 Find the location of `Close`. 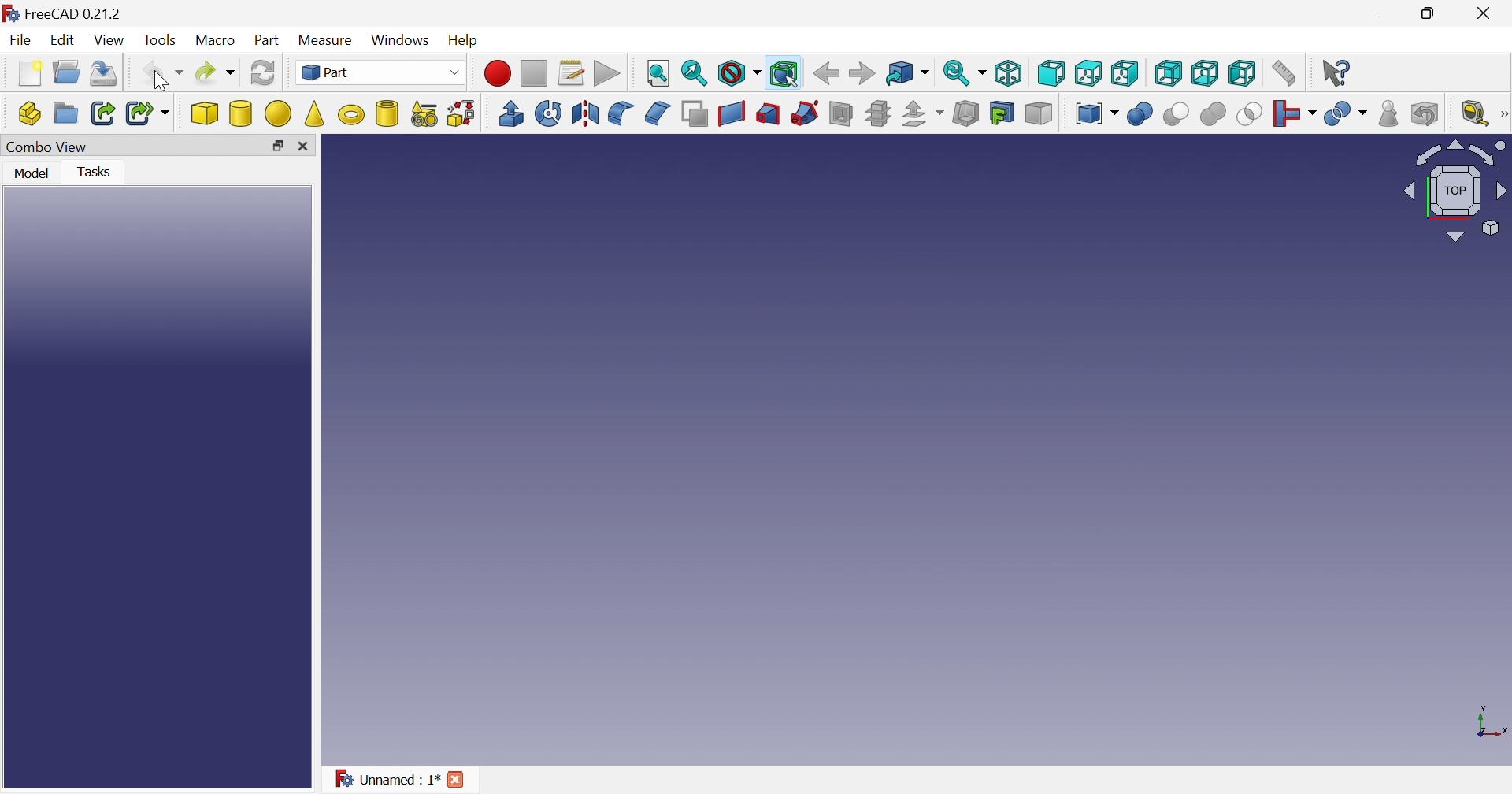

Close is located at coordinates (1487, 13).